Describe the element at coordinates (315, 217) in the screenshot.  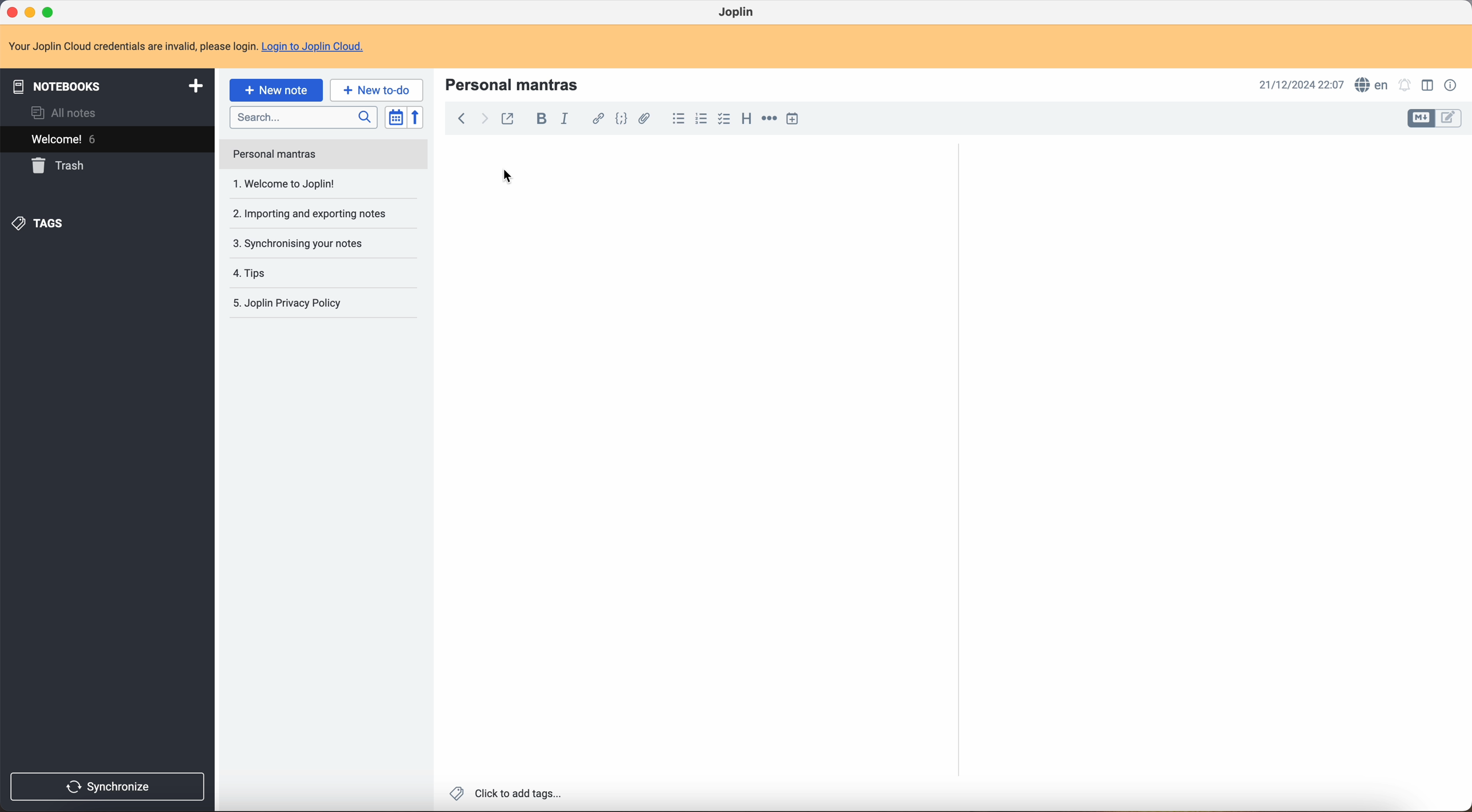
I see `synchronising your notes` at that location.